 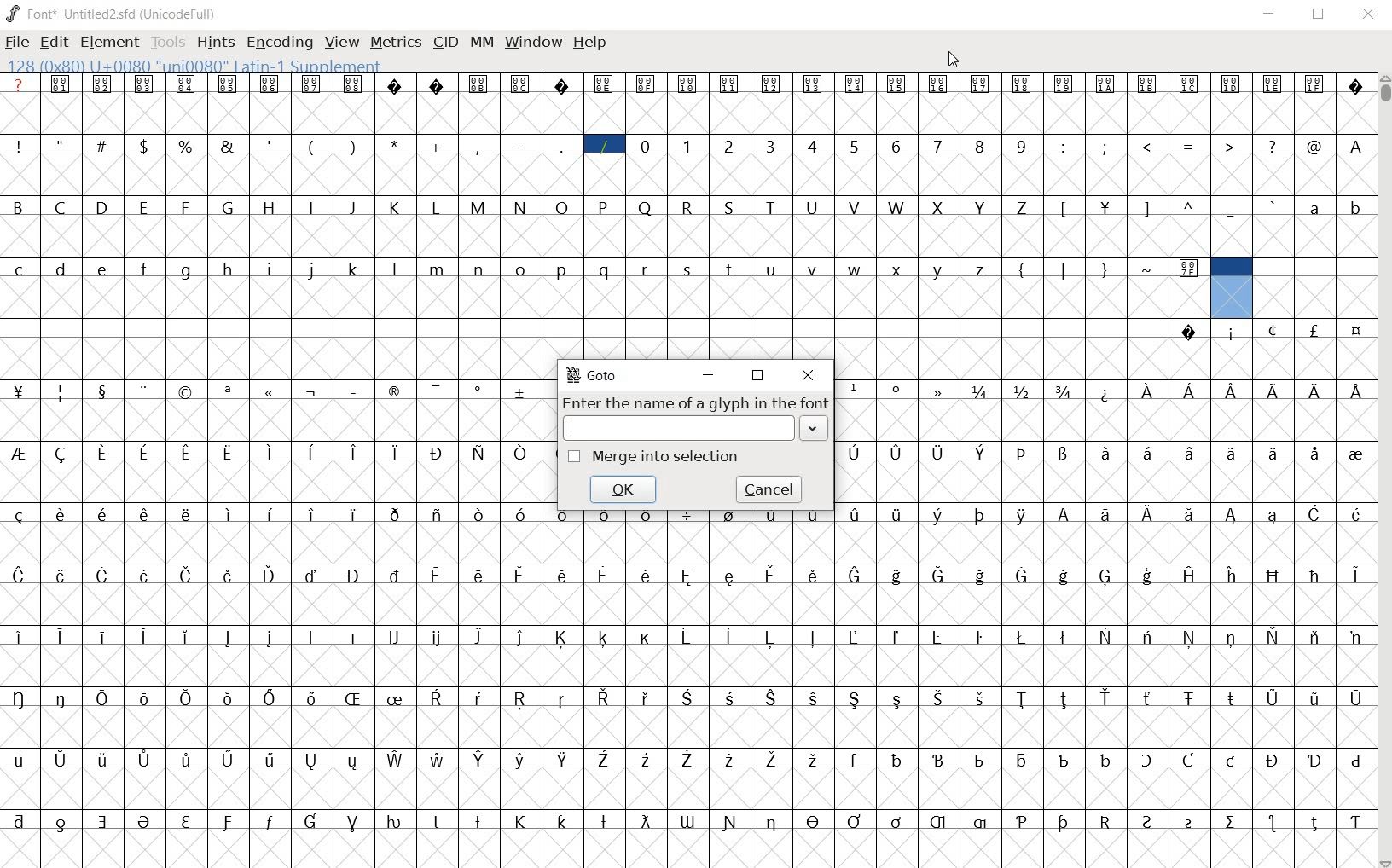 I want to click on /, so click(x=604, y=144).